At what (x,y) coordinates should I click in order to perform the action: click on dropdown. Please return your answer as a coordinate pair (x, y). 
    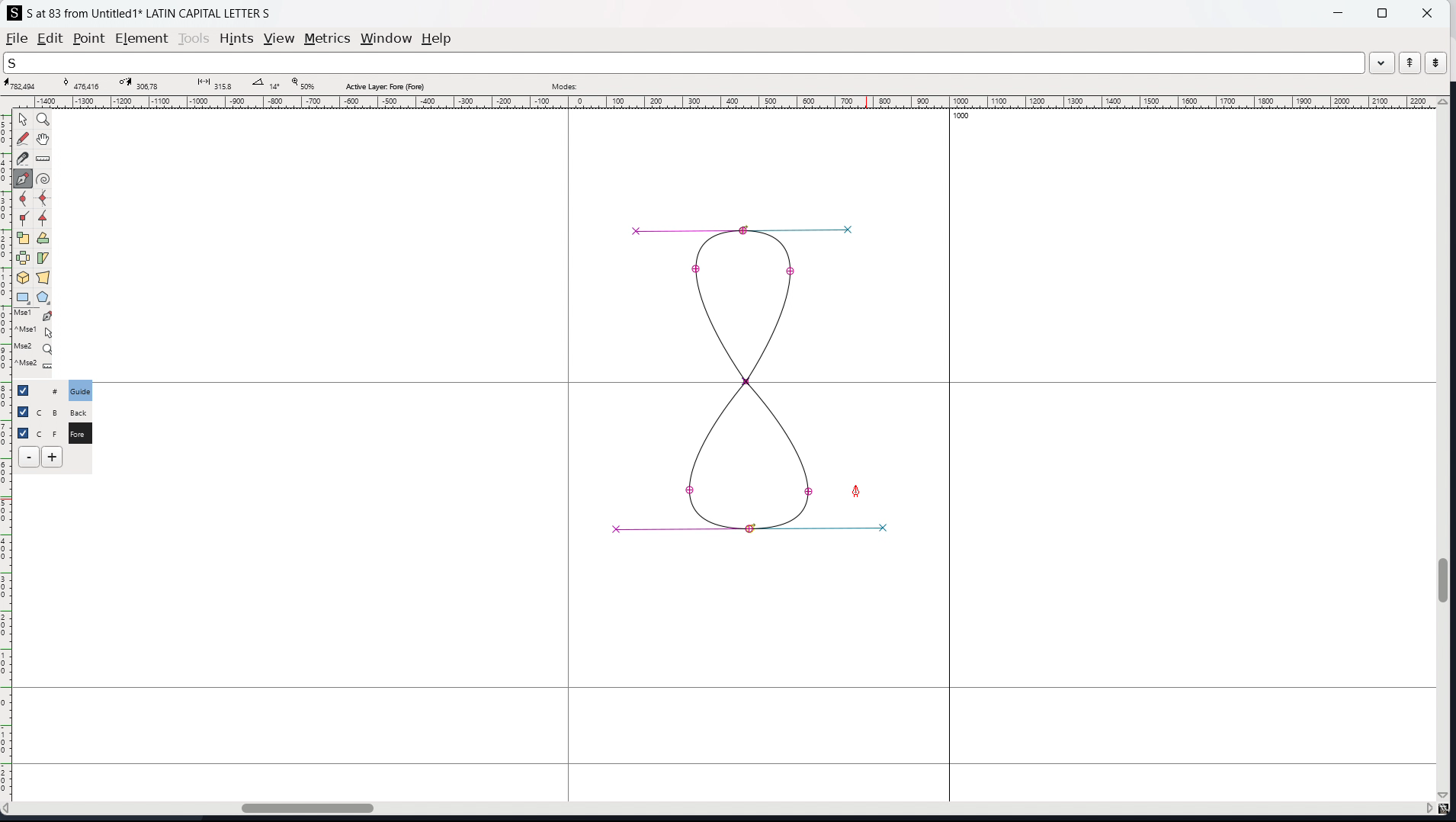
    Looking at the image, I should click on (1382, 62).